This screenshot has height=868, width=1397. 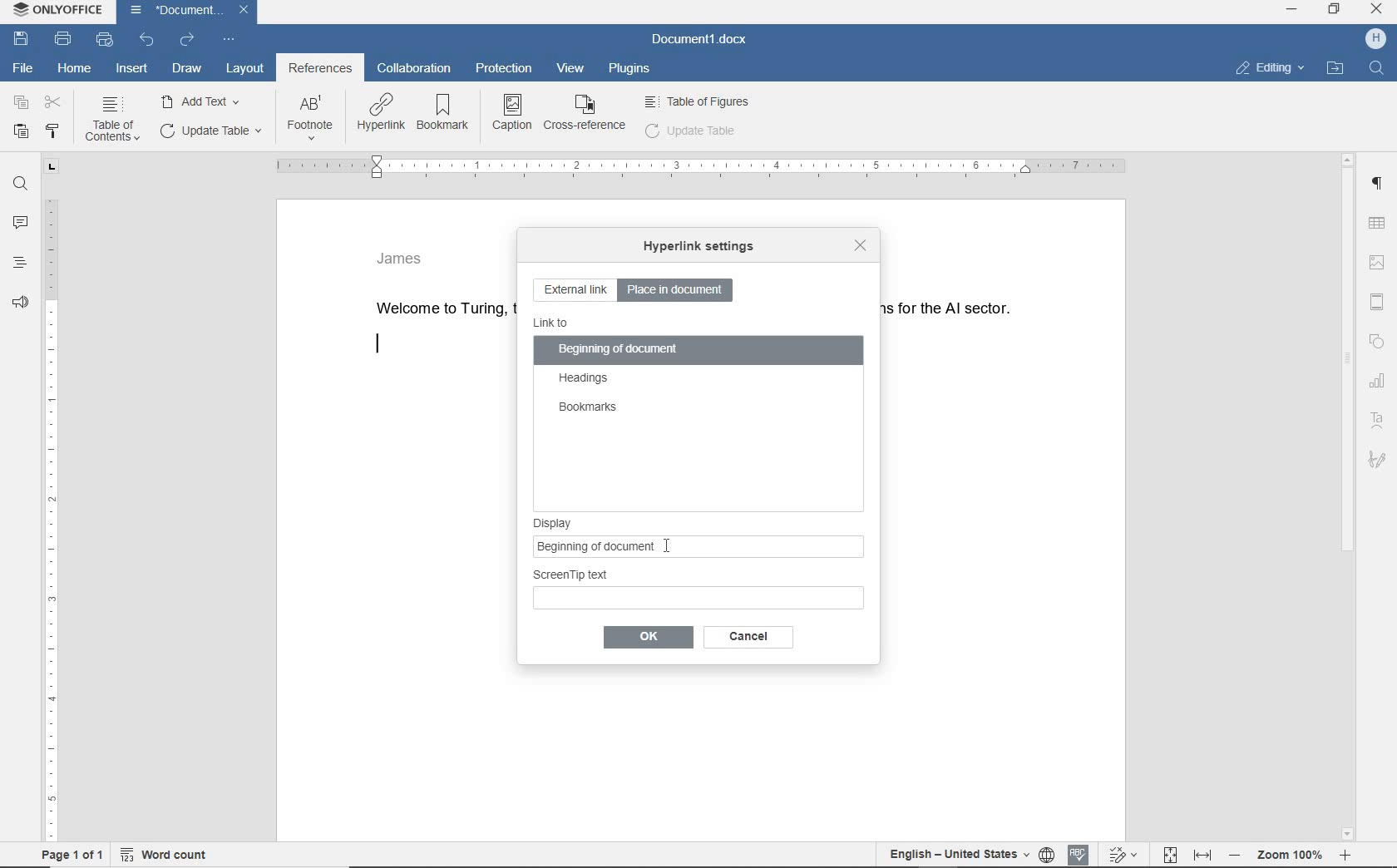 I want to click on layout, so click(x=244, y=67).